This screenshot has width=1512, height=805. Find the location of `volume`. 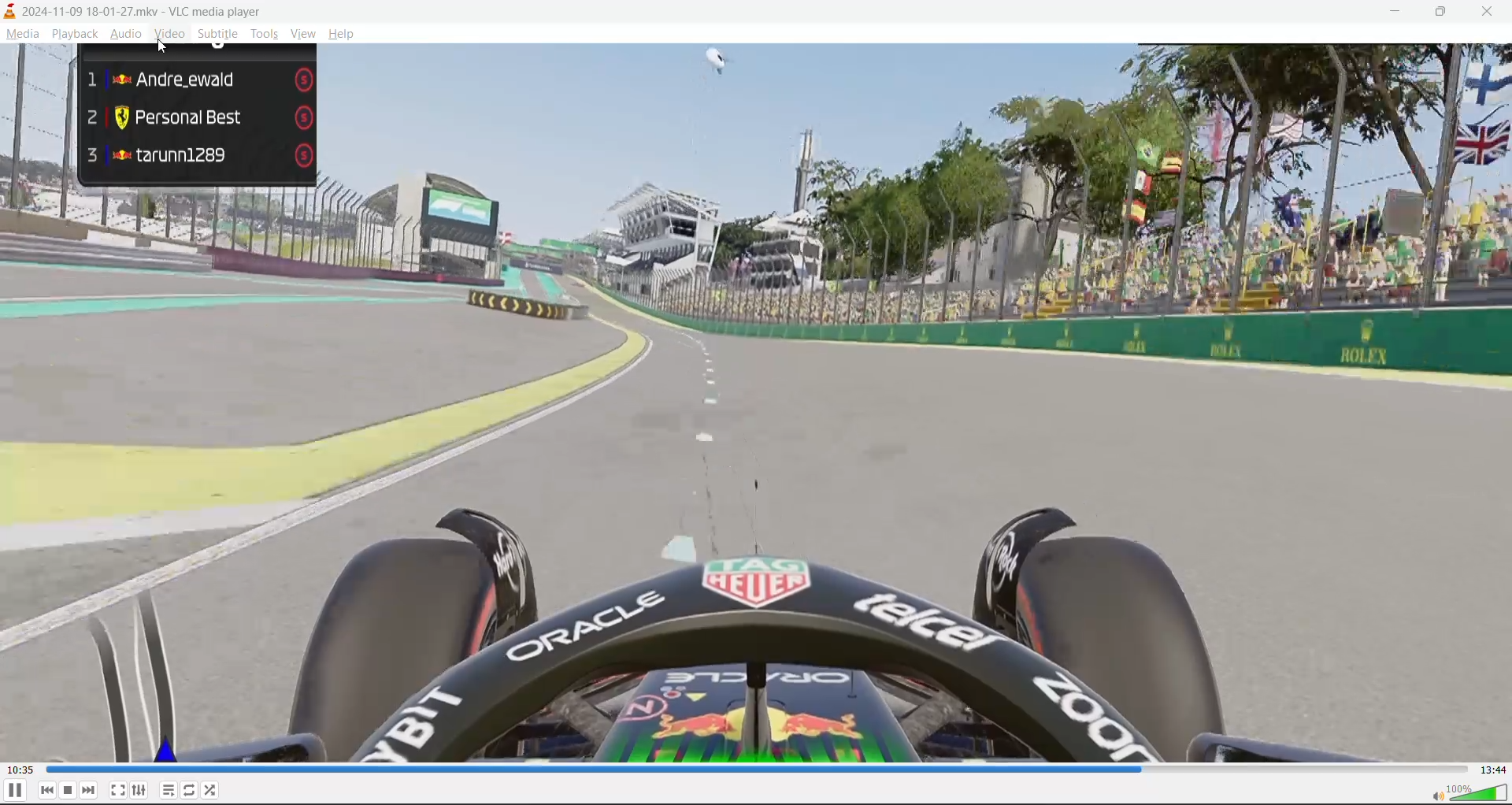

volume is located at coordinates (1468, 793).